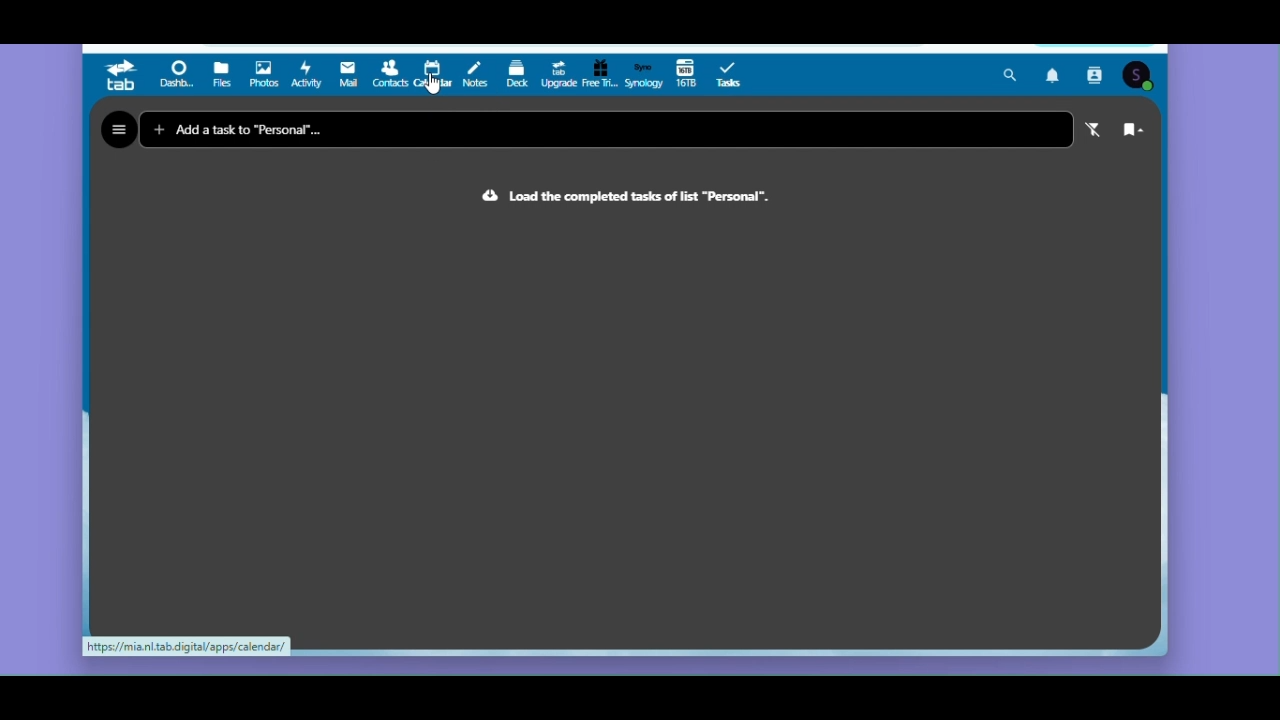 The image size is (1280, 720). What do you see at coordinates (1138, 76) in the screenshot?
I see `Account icon` at bounding box center [1138, 76].